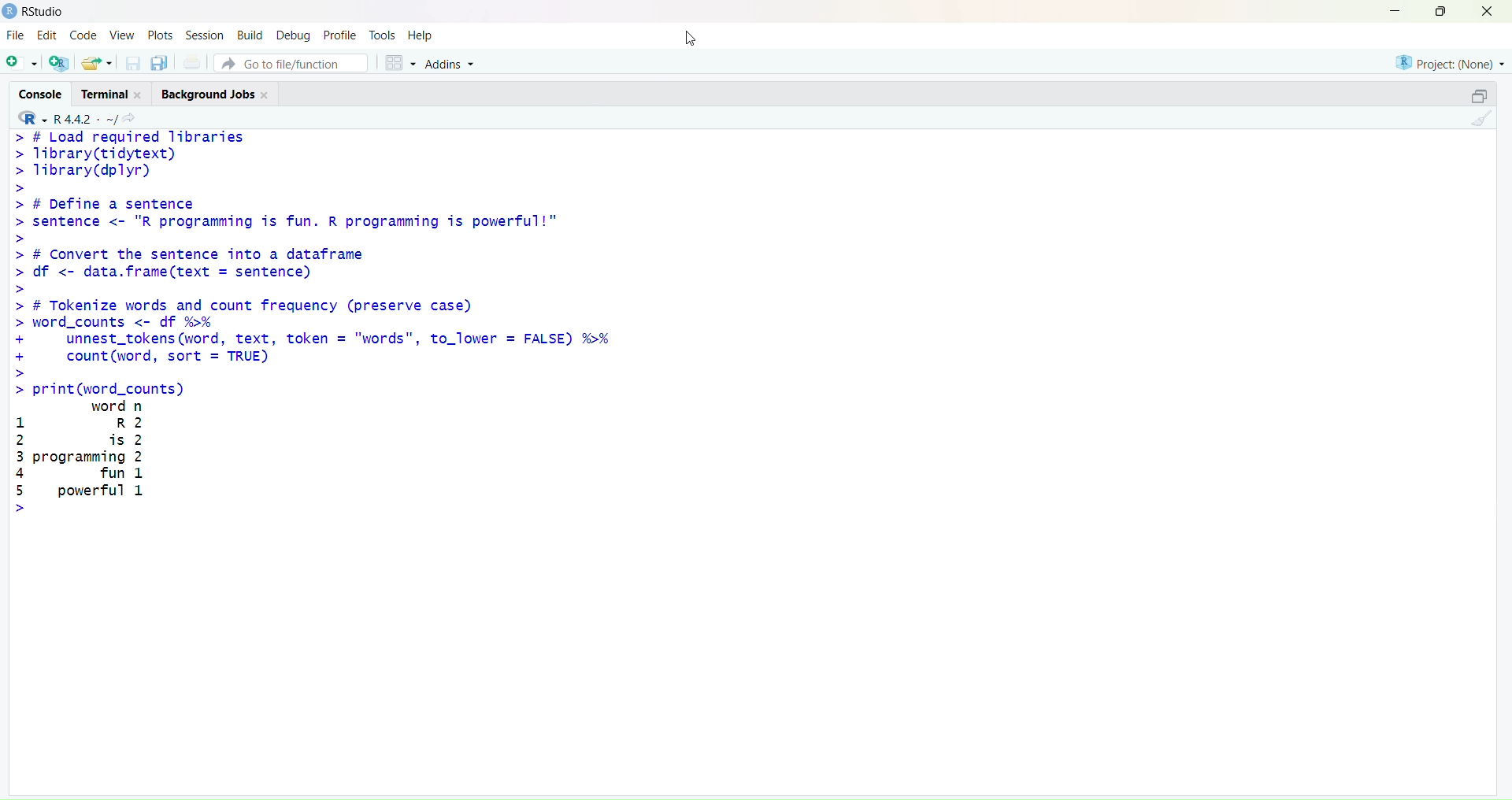 Image resolution: width=1512 pixels, height=800 pixels. What do you see at coordinates (161, 63) in the screenshot?
I see `save all open documents` at bounding box center [161, 63].